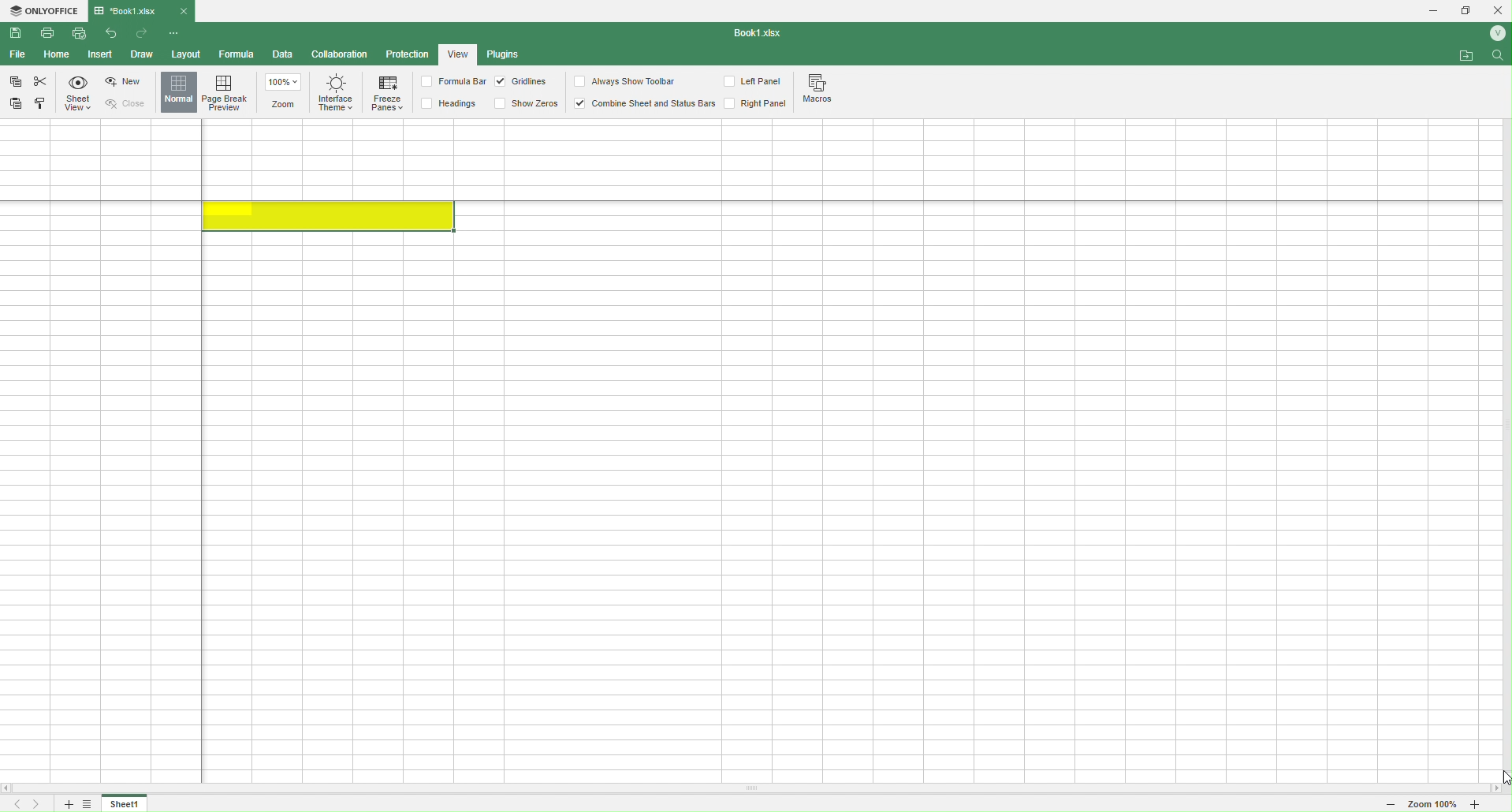  What do you see at coordinates (125, 804) in the screenshot?
I see `Sheet 1` at bounding box center [125, 804].